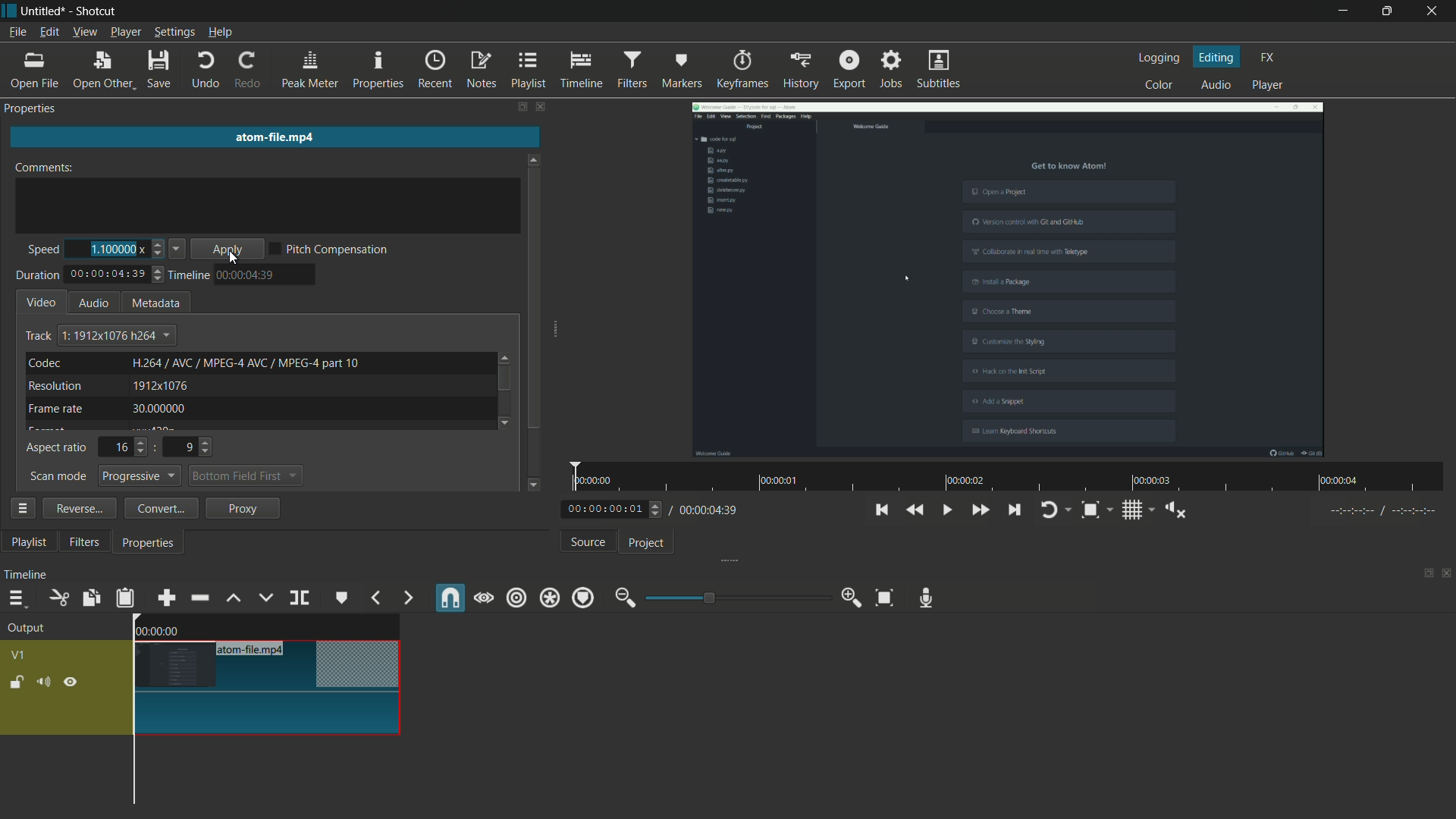  I want to click on proxy, so click(244, 509).